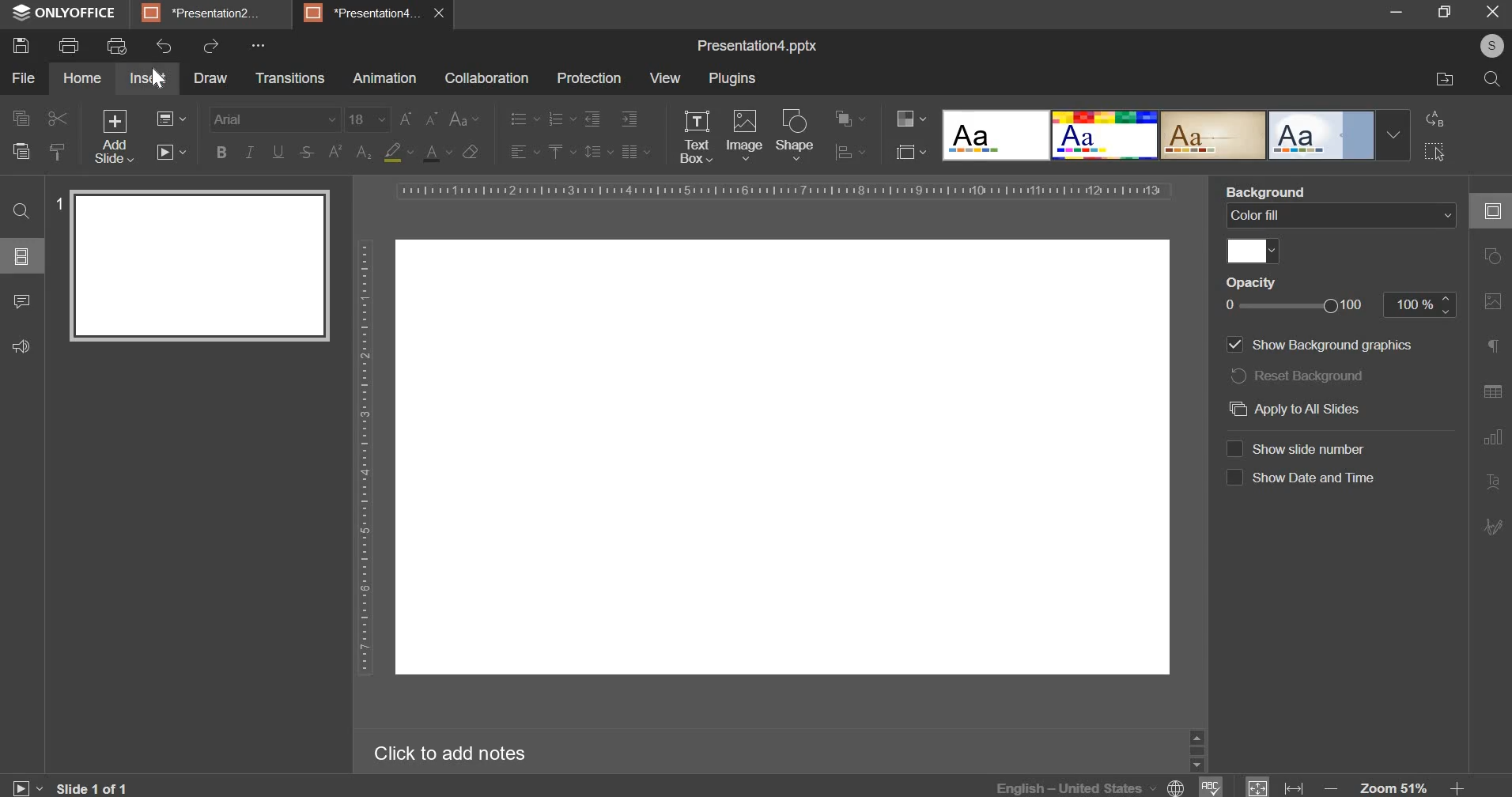  Describe the element at coordinates (364, 151) in the screenshot. I see `subscript` at that location.